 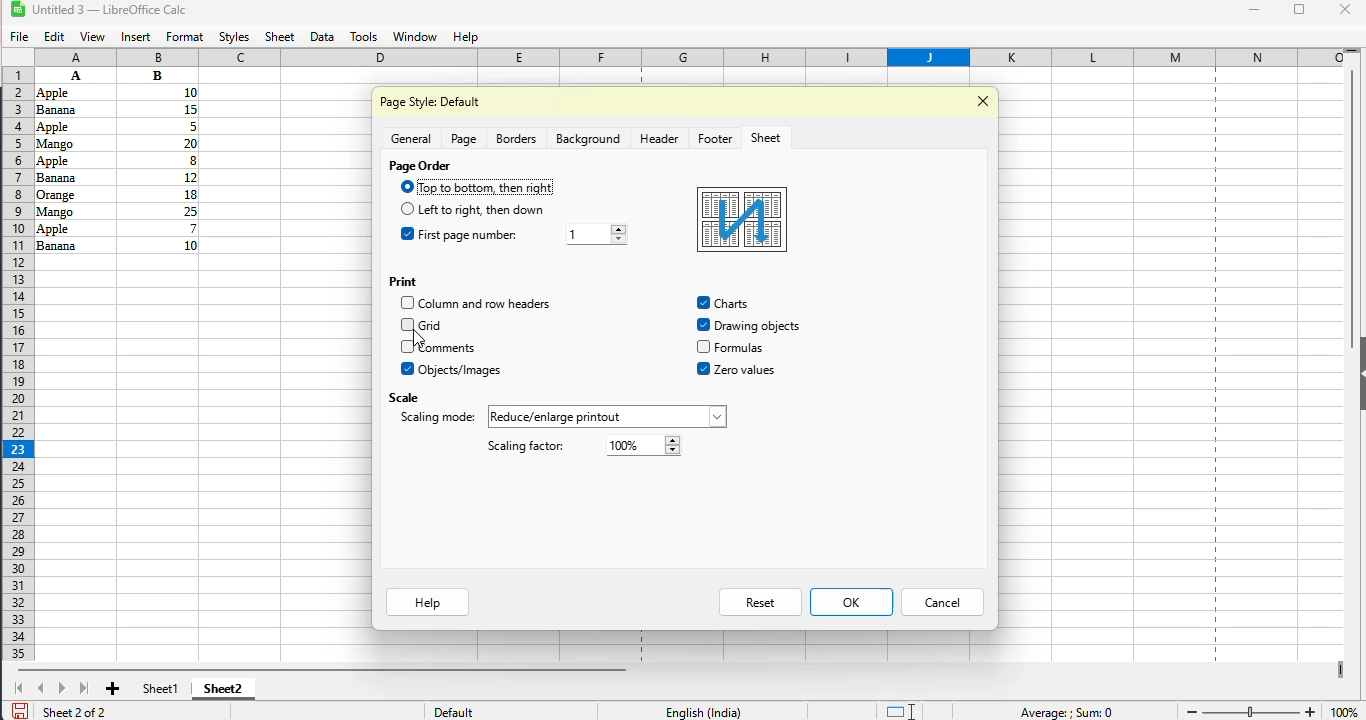 What do you see at coordinates (453, 712) in the screenshot?
I see `default` at bounding box center [453, 712].